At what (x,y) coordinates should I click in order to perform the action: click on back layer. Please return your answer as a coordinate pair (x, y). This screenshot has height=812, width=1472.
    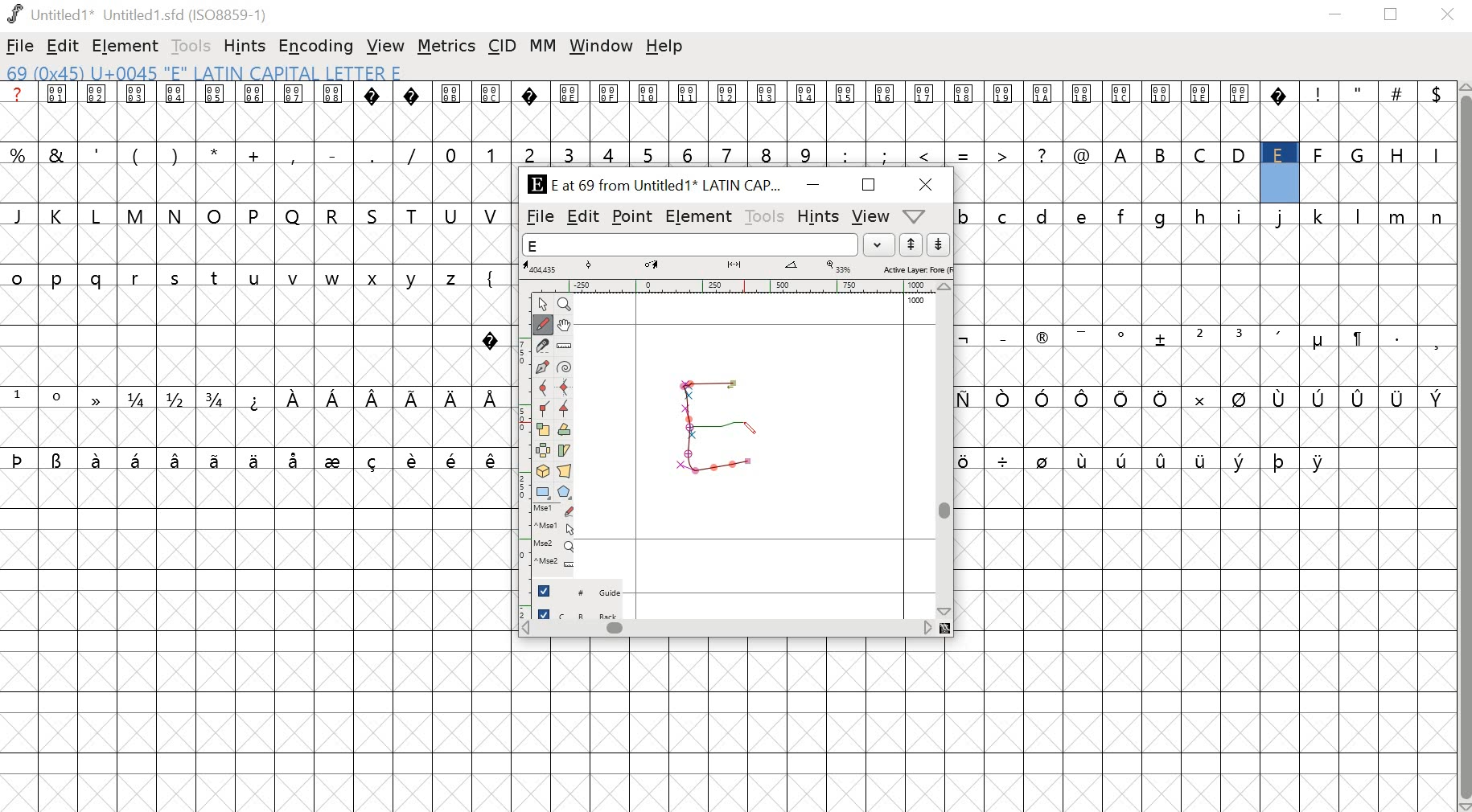
    Looking at the image, I should click on (578, 615).